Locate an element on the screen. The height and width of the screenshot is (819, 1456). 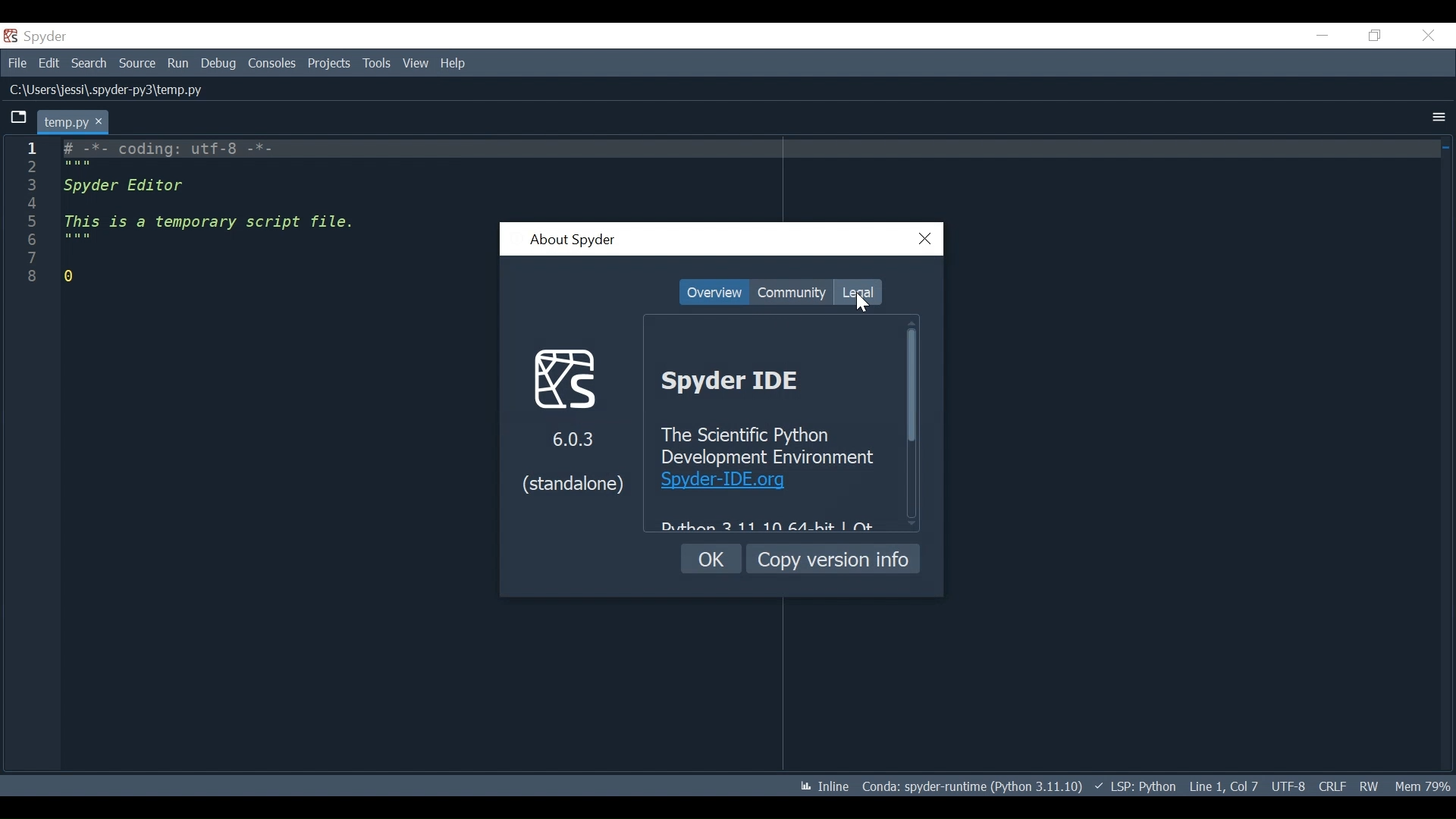
File is located at coordinates (15, 61).